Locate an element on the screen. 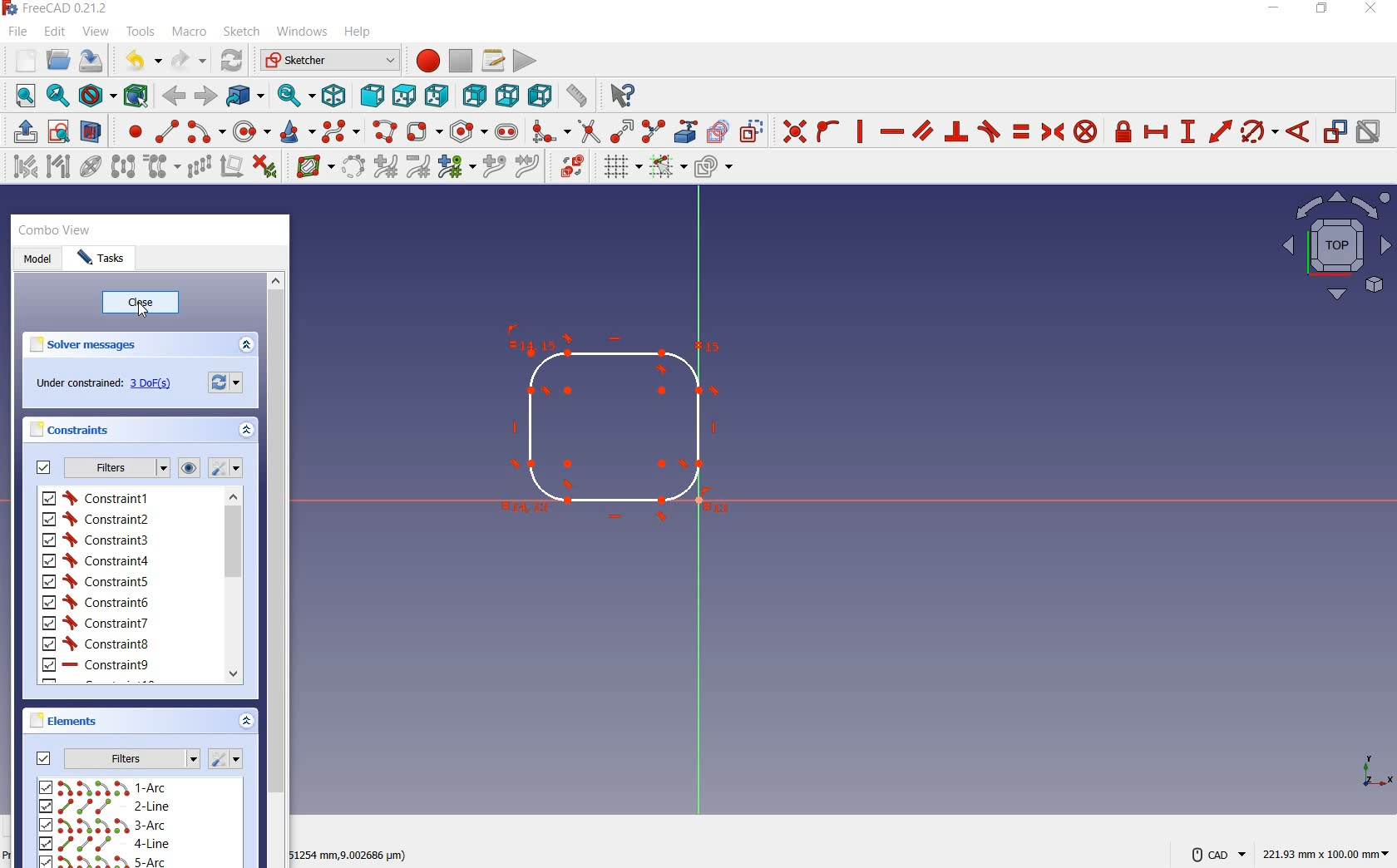  left is located at coordinates (542, 94).